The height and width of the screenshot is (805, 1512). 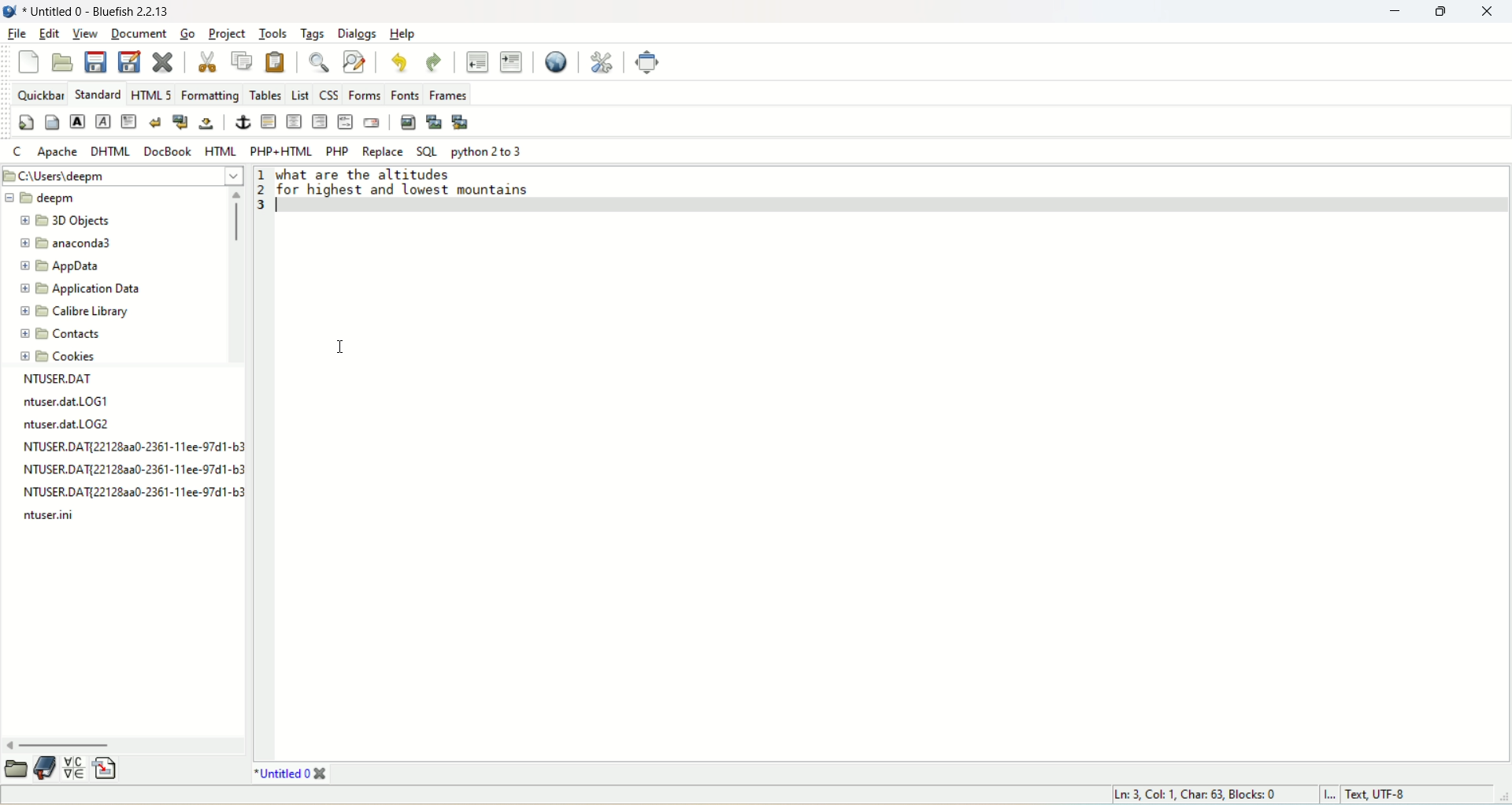 I want to click on edit, so click(x=50, y=32).